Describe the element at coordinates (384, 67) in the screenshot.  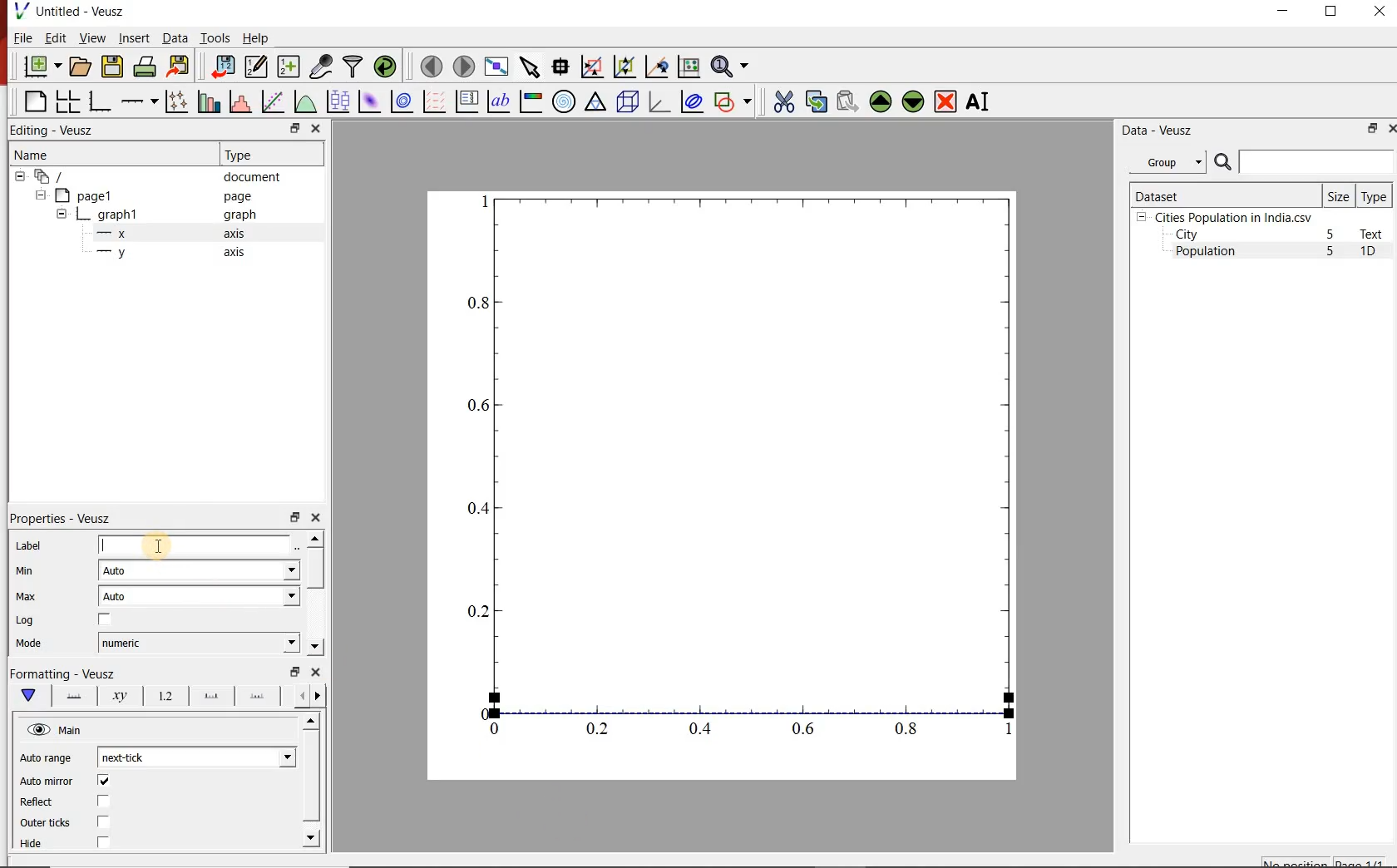
I see `reload linked datasets` at that location.